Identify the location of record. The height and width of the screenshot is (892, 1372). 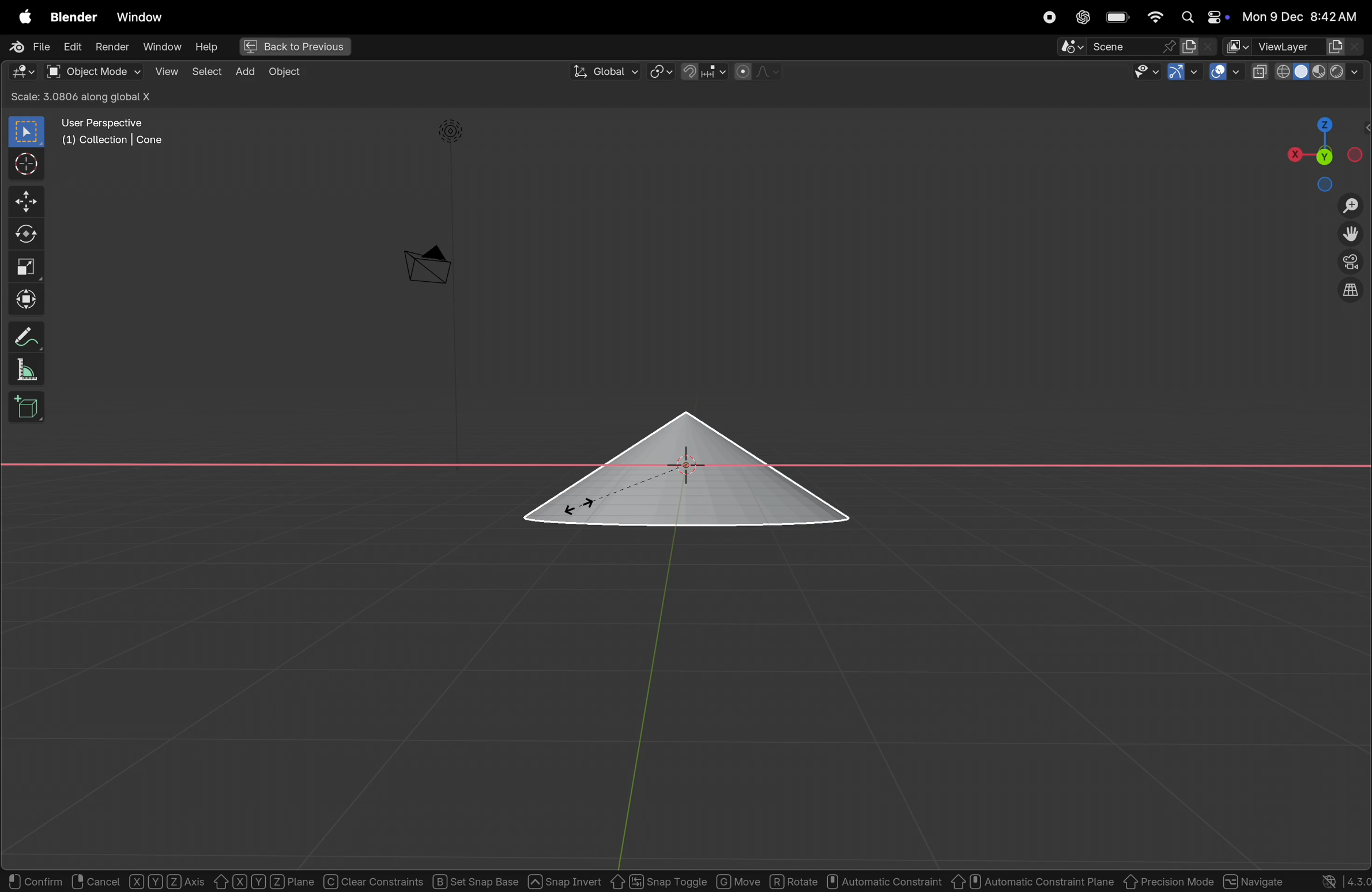
(1050, 17).